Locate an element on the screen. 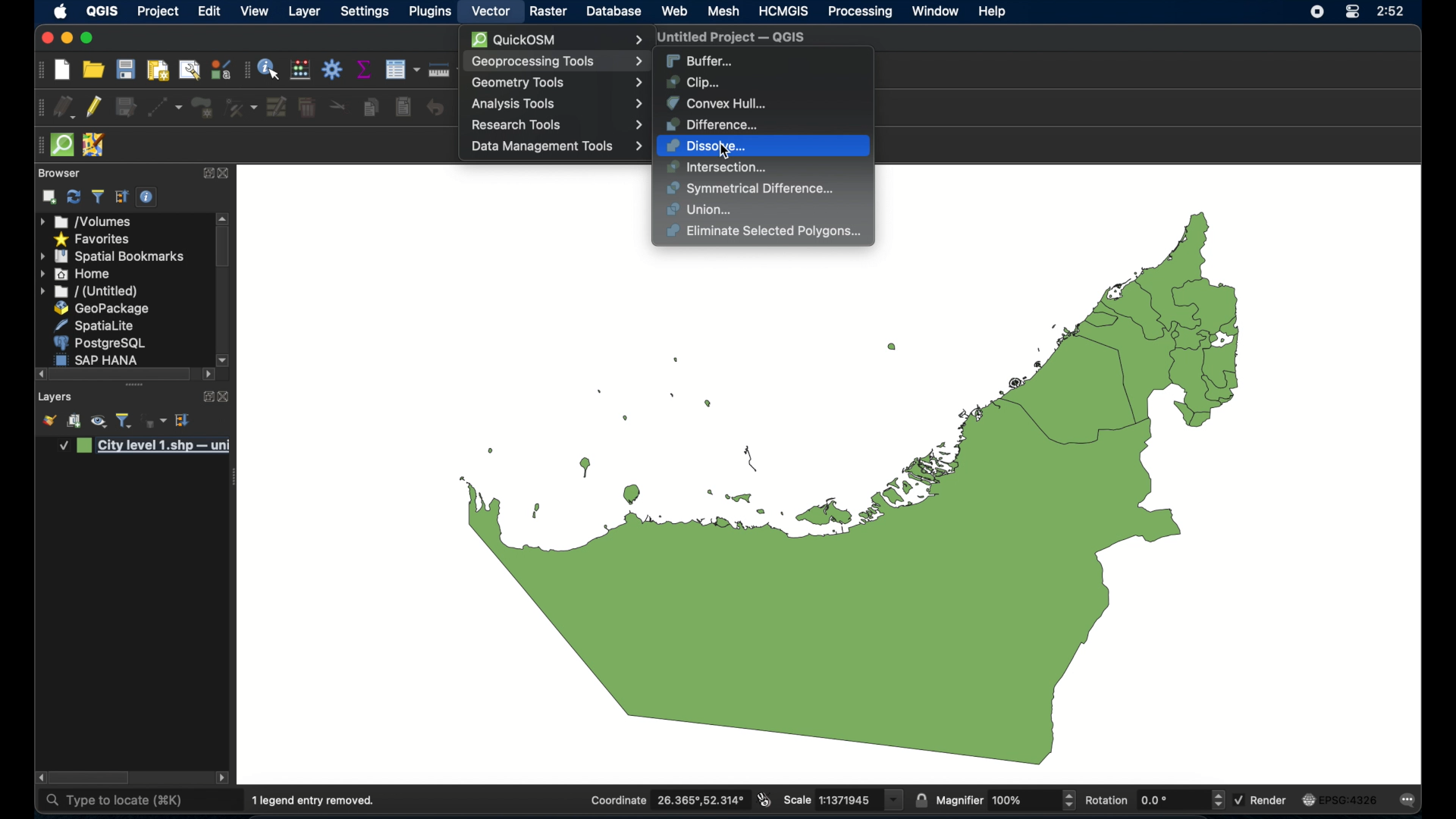 Image resolution: width=1456 pixels, height=819 pixels. refresh is located at coordinates (73, 197).